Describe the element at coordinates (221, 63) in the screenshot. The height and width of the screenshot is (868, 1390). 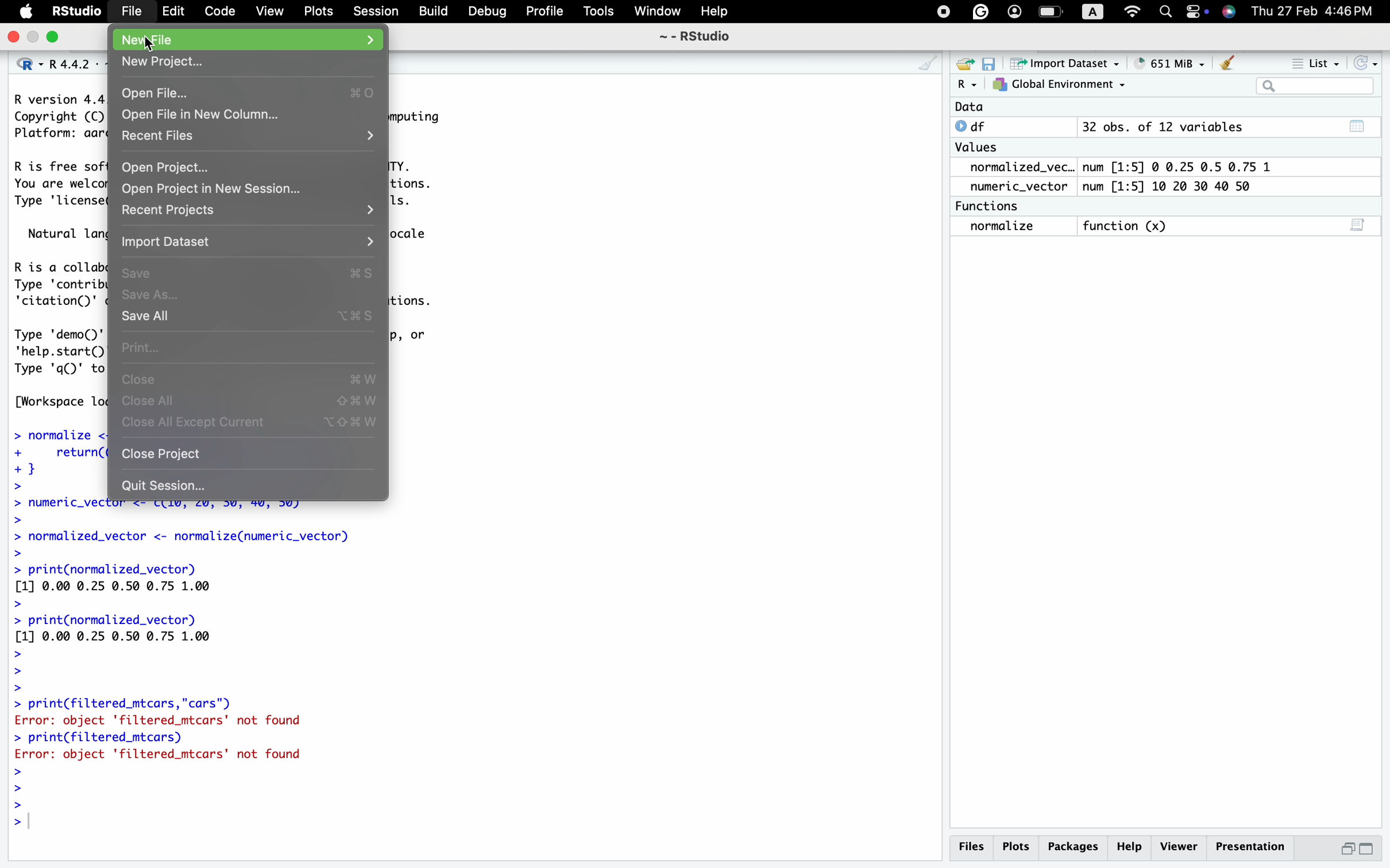
I see `New project` at that location.